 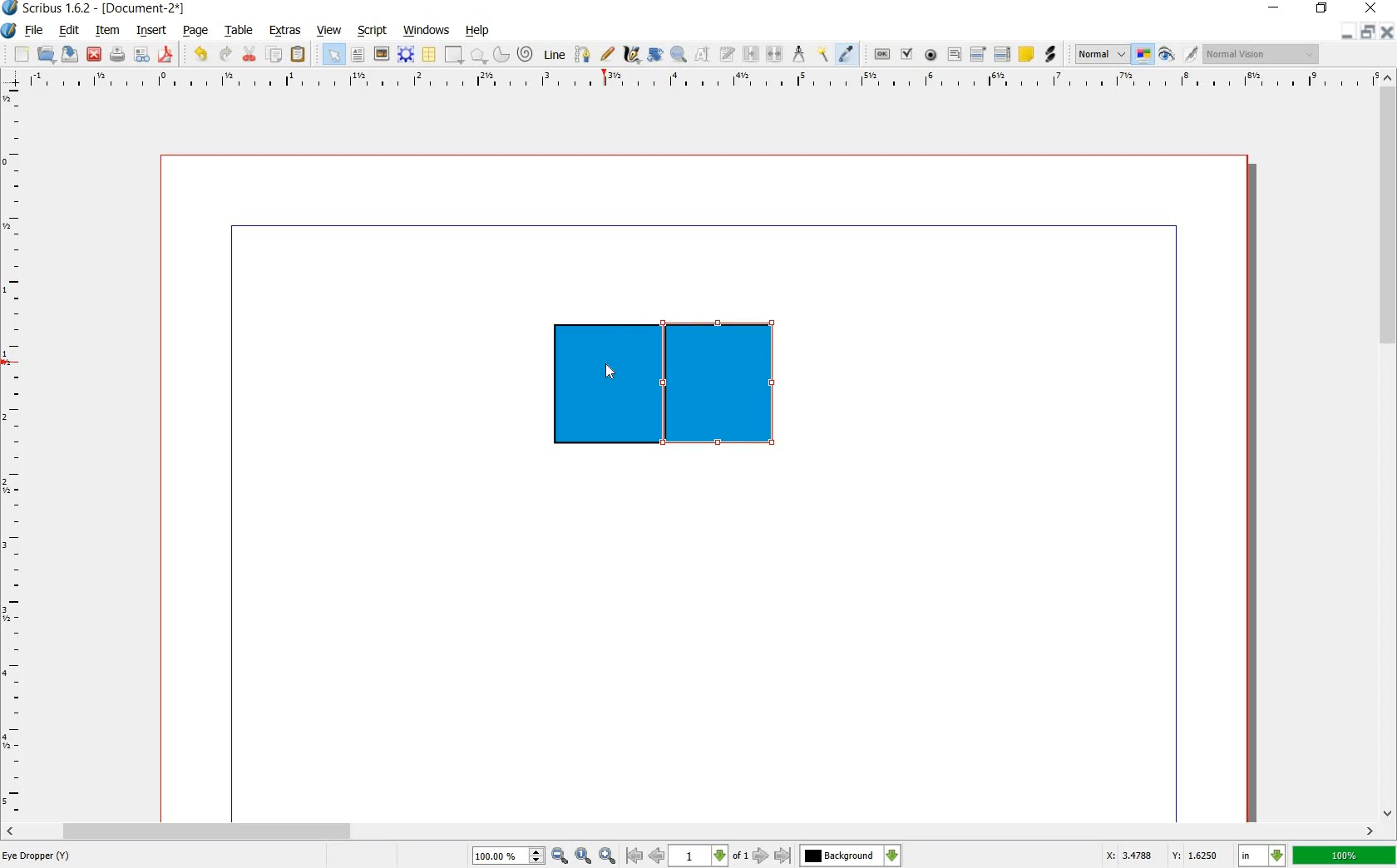 I want to click on link annotation, so click(x=1051, y=55).